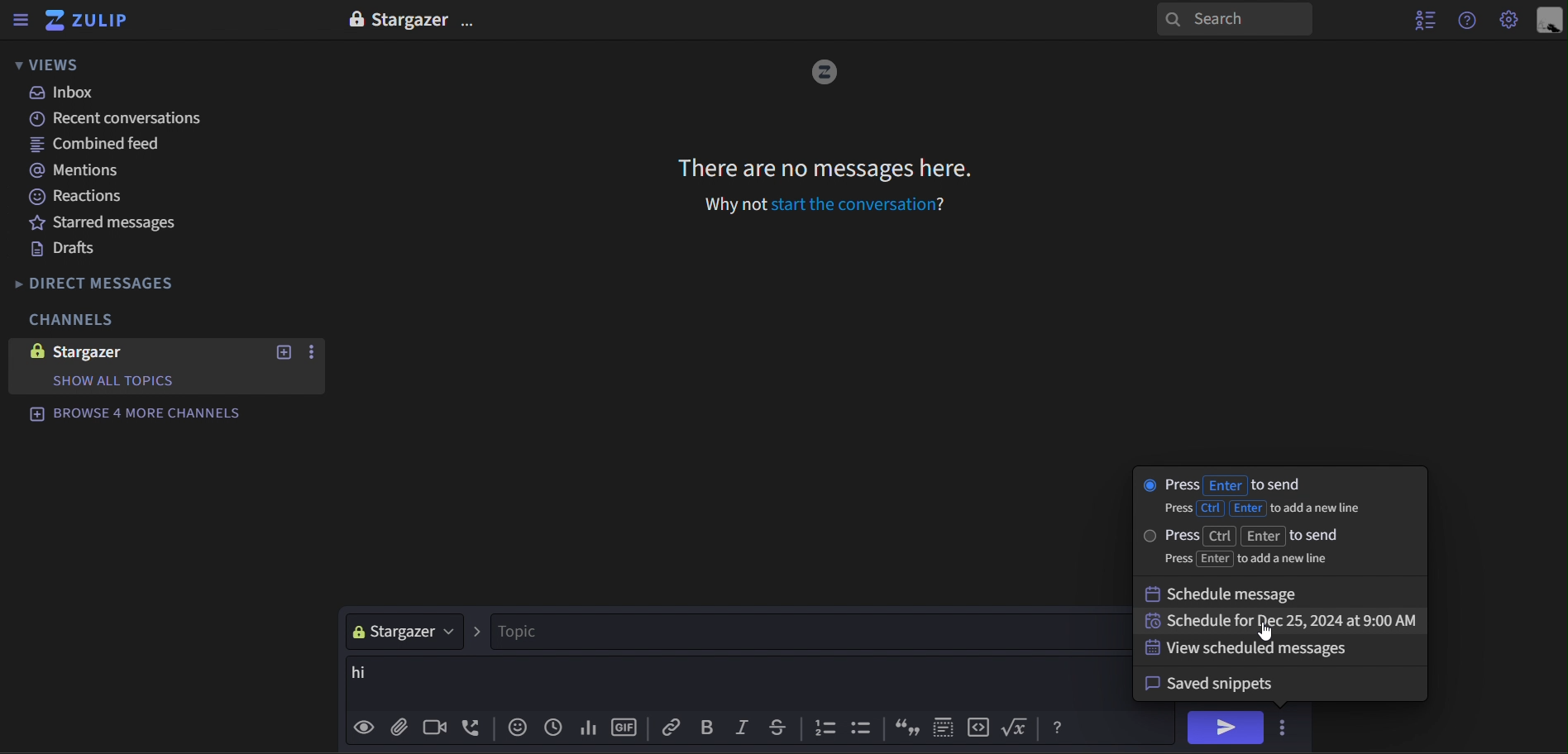 This screenshot has height=754, width=1568. Describe the element at coordinates (1275, 684) in the screenshot. I see `savedsnippets` at that location.